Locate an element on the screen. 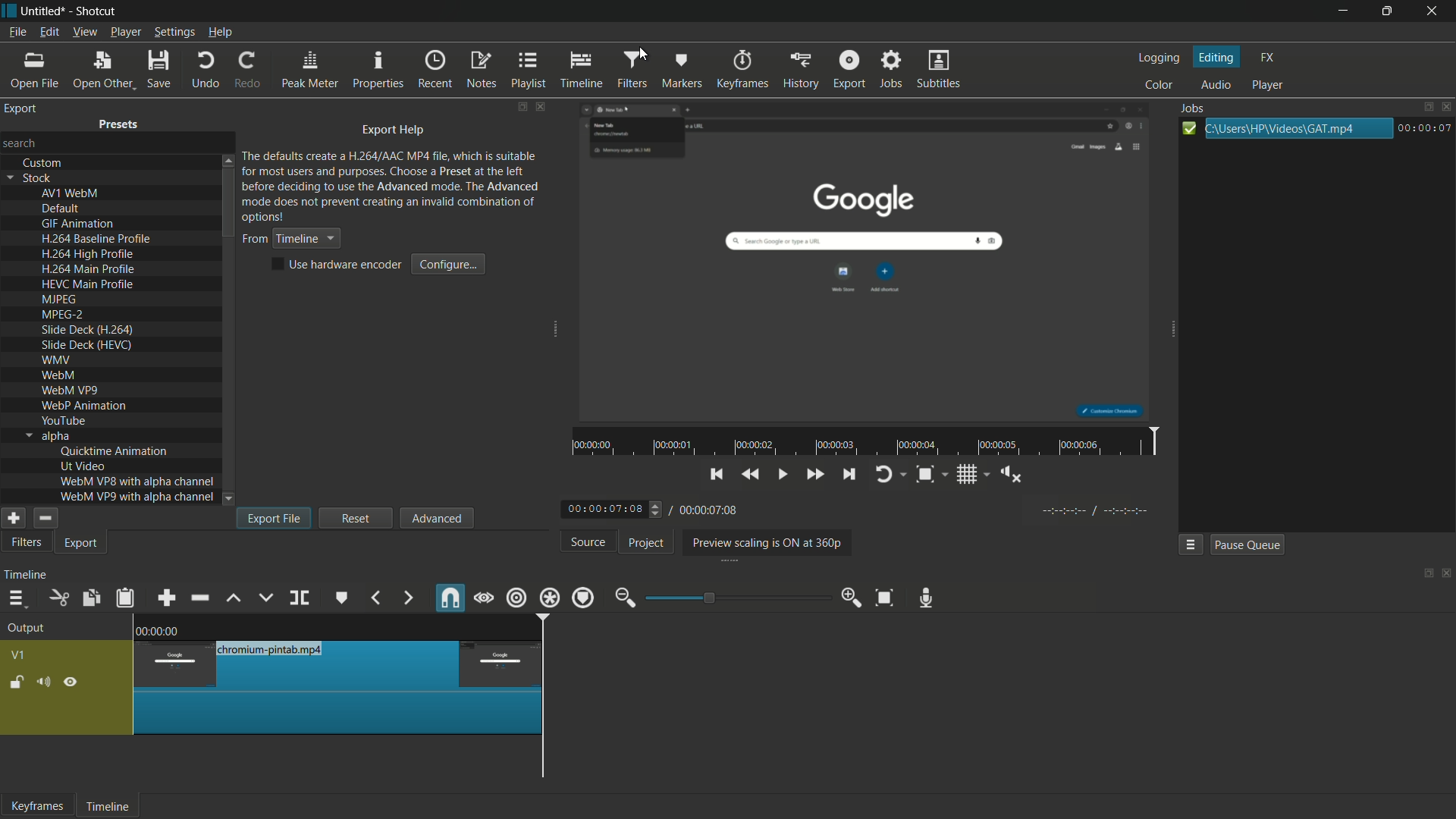  next marker is located at coordinates (409, 599).